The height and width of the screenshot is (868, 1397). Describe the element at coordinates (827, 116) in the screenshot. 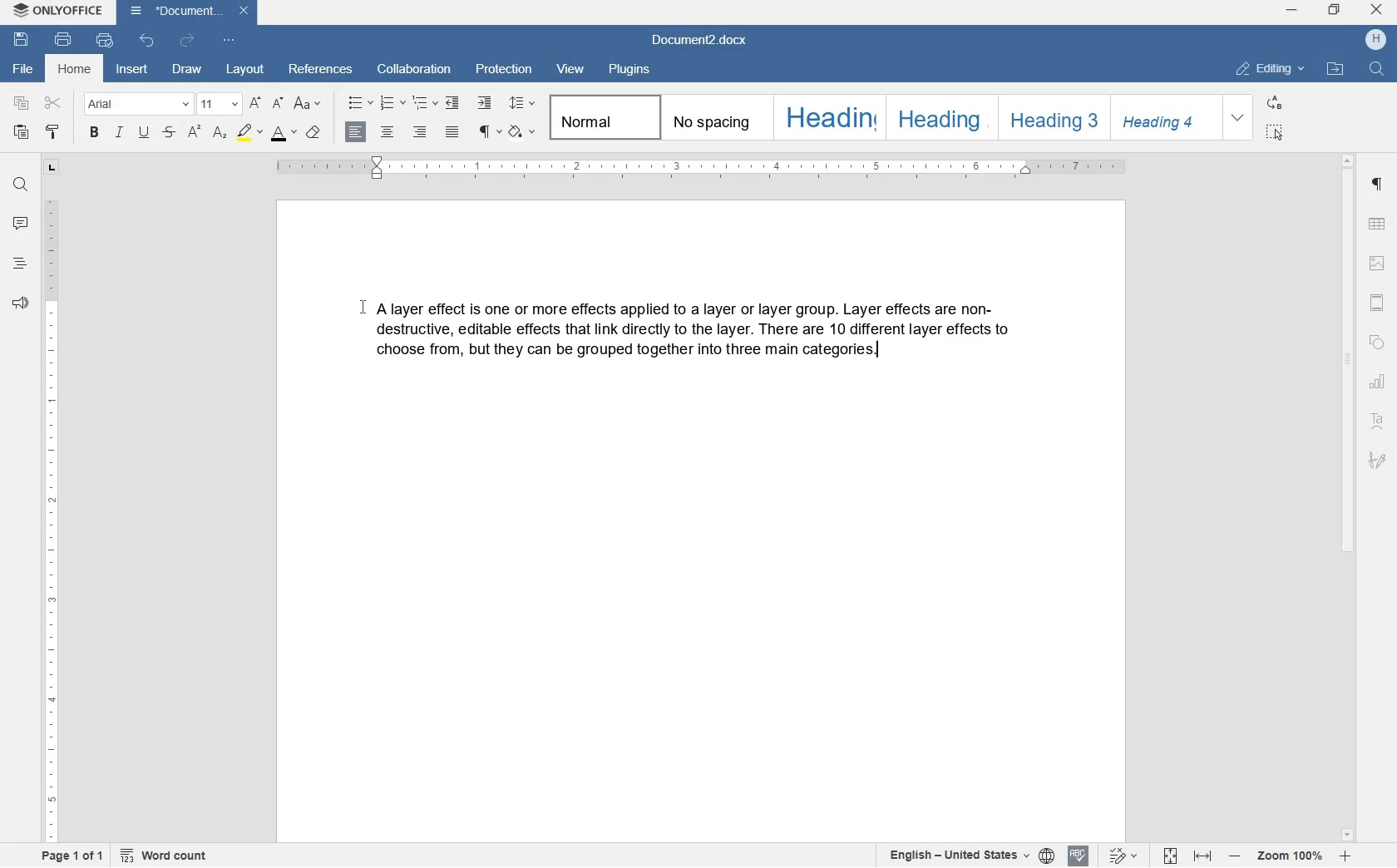

I see `heading 1` at that location.